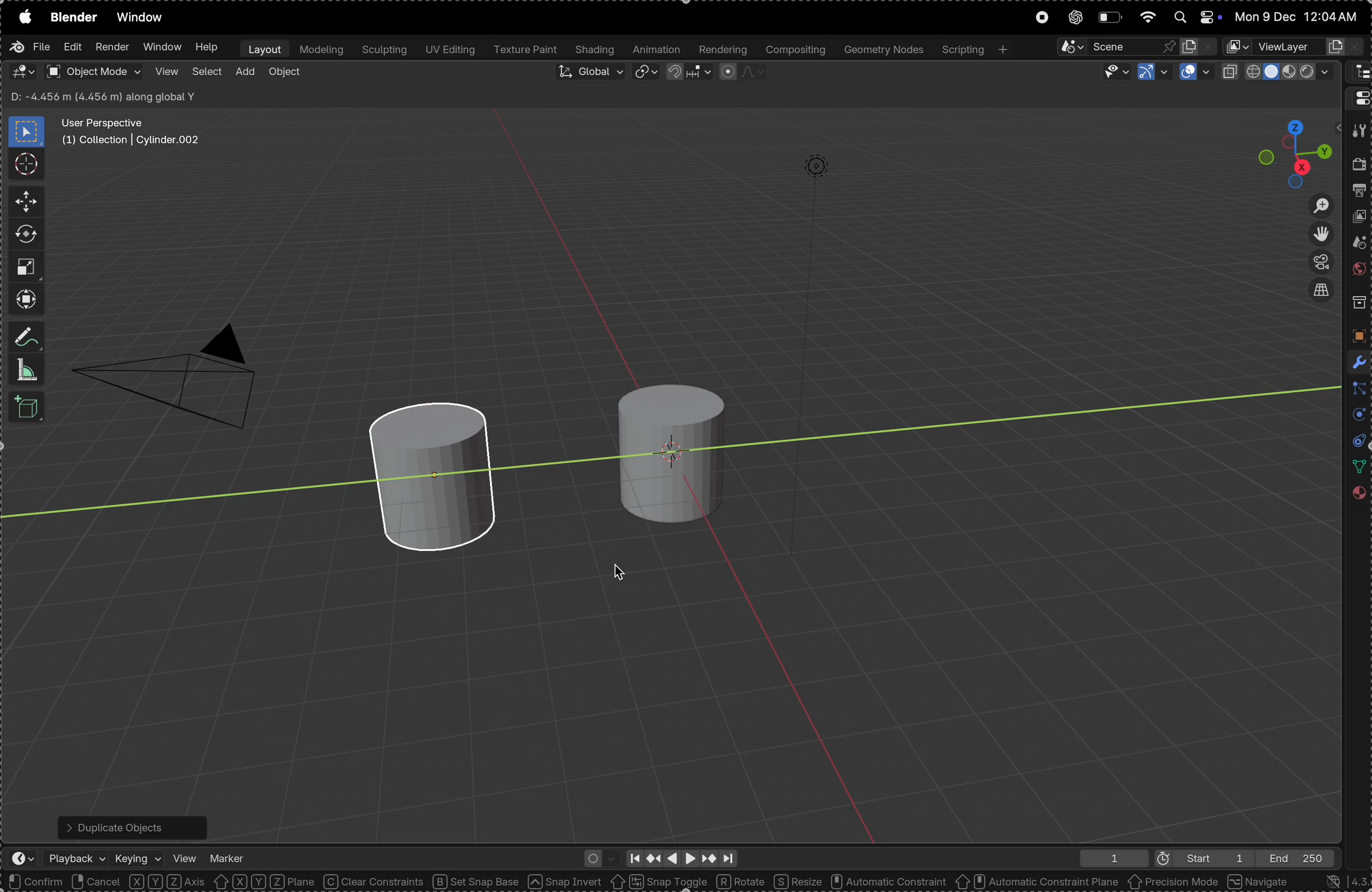 This screenshot has width=1372, height=892. What do you see at coordinates (1358, 73) in the screenshot?
I see `editor type` at bounding box center [1358, 73].